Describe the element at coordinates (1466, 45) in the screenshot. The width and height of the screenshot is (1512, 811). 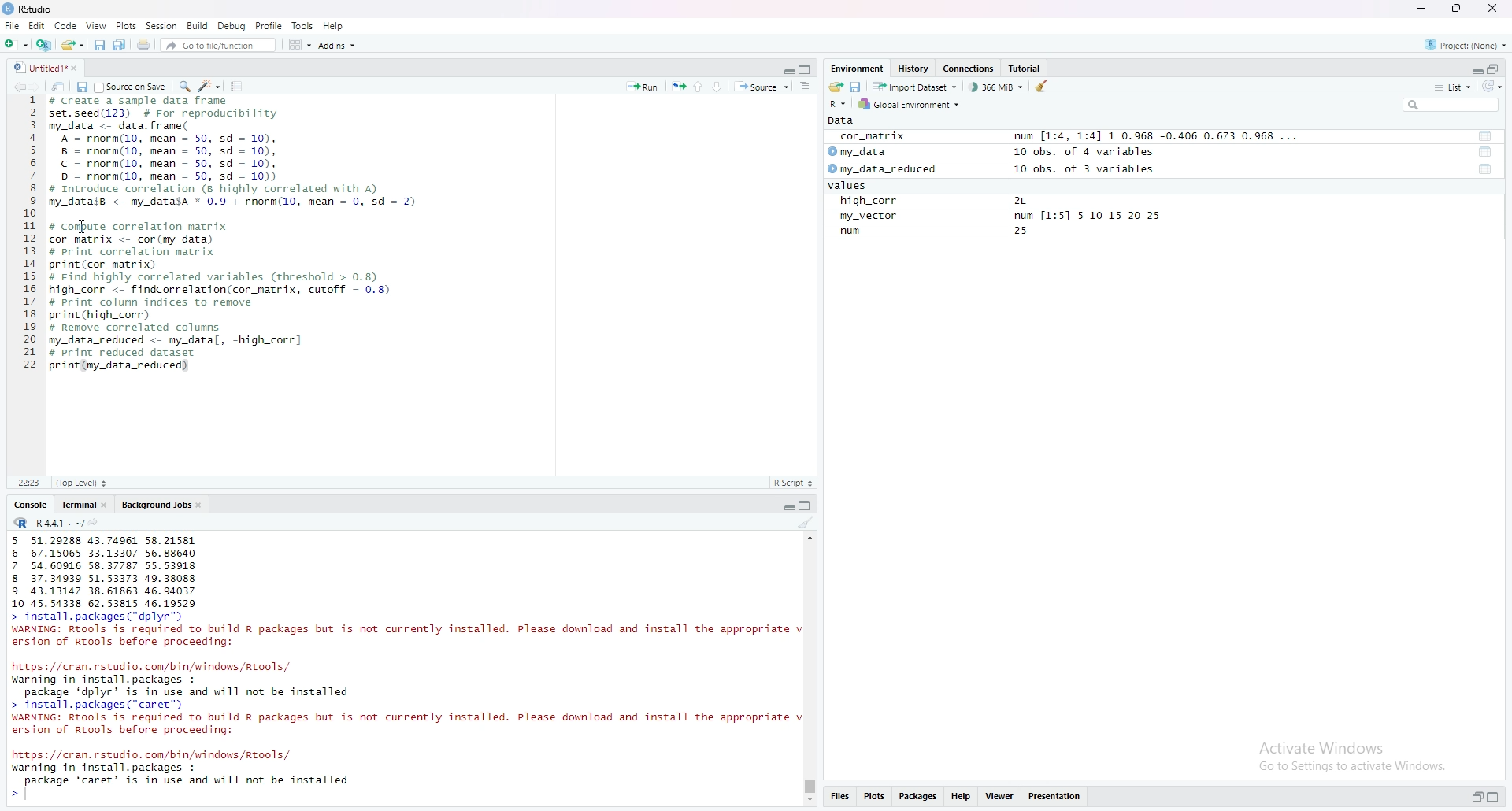
I see `Project: (None)` at that location.